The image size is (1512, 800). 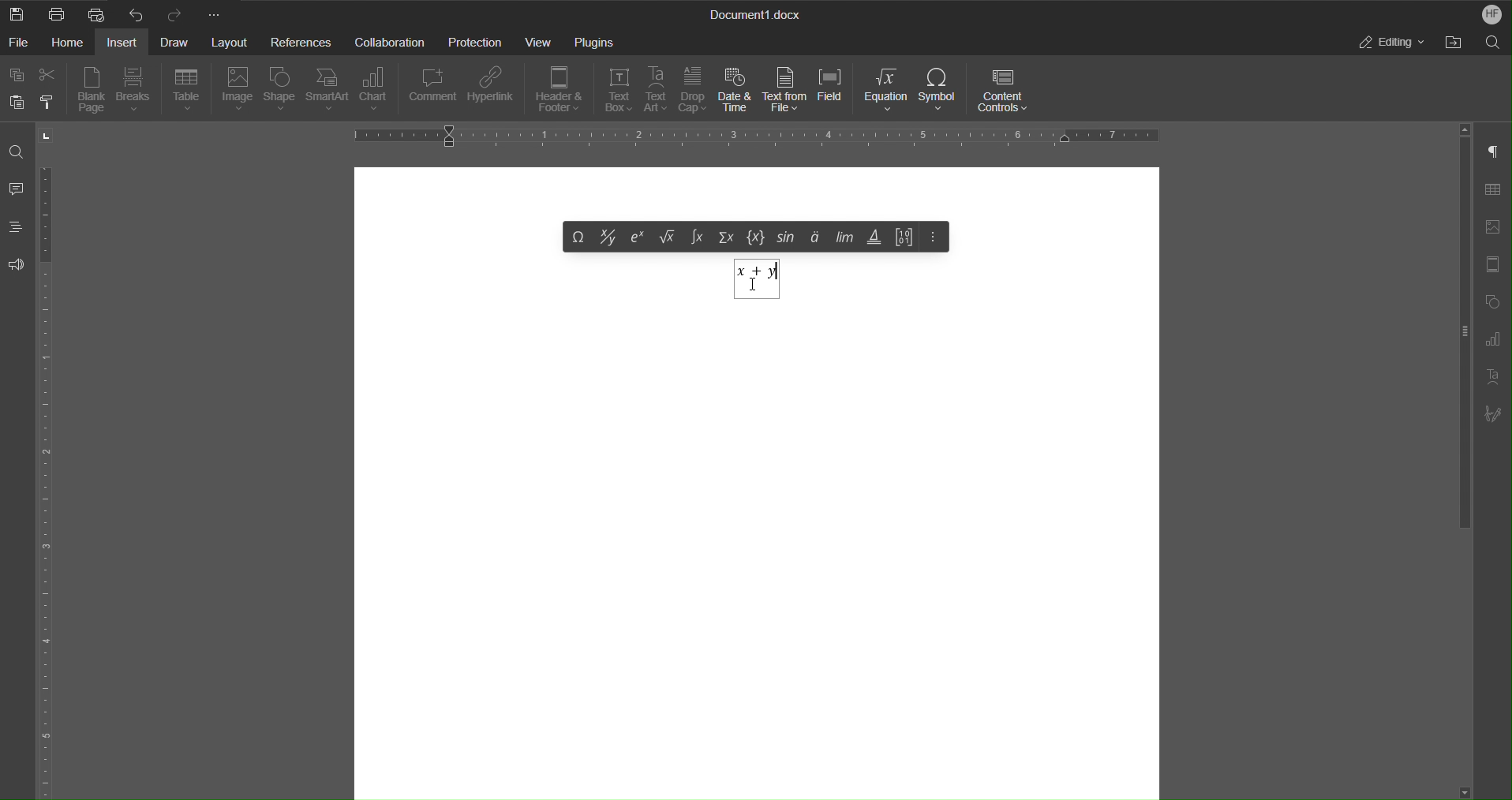 I want to click on Insert Image, so click(x=1493, y=228).